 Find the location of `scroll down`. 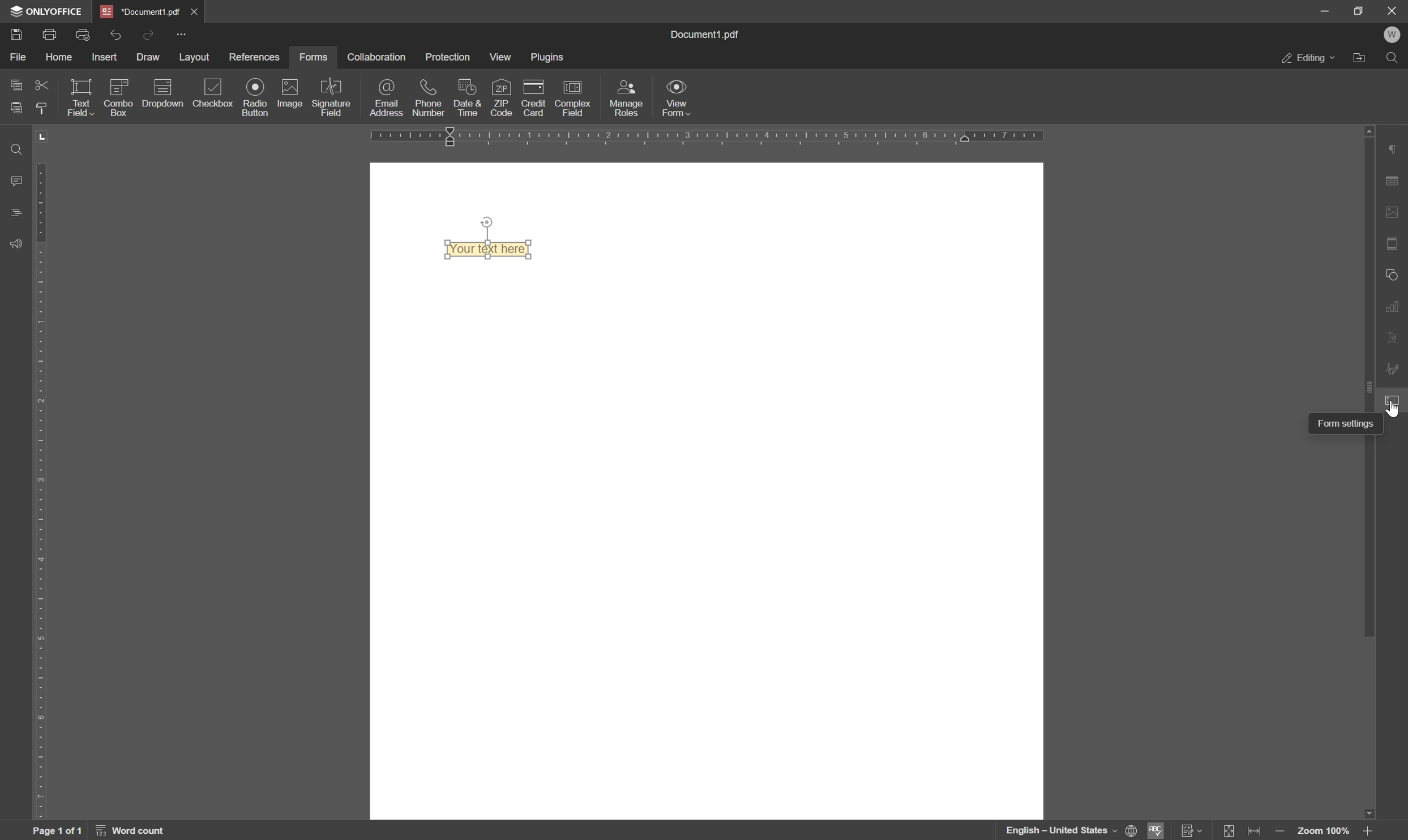

scroll down is located at coordinates (1371, 813).